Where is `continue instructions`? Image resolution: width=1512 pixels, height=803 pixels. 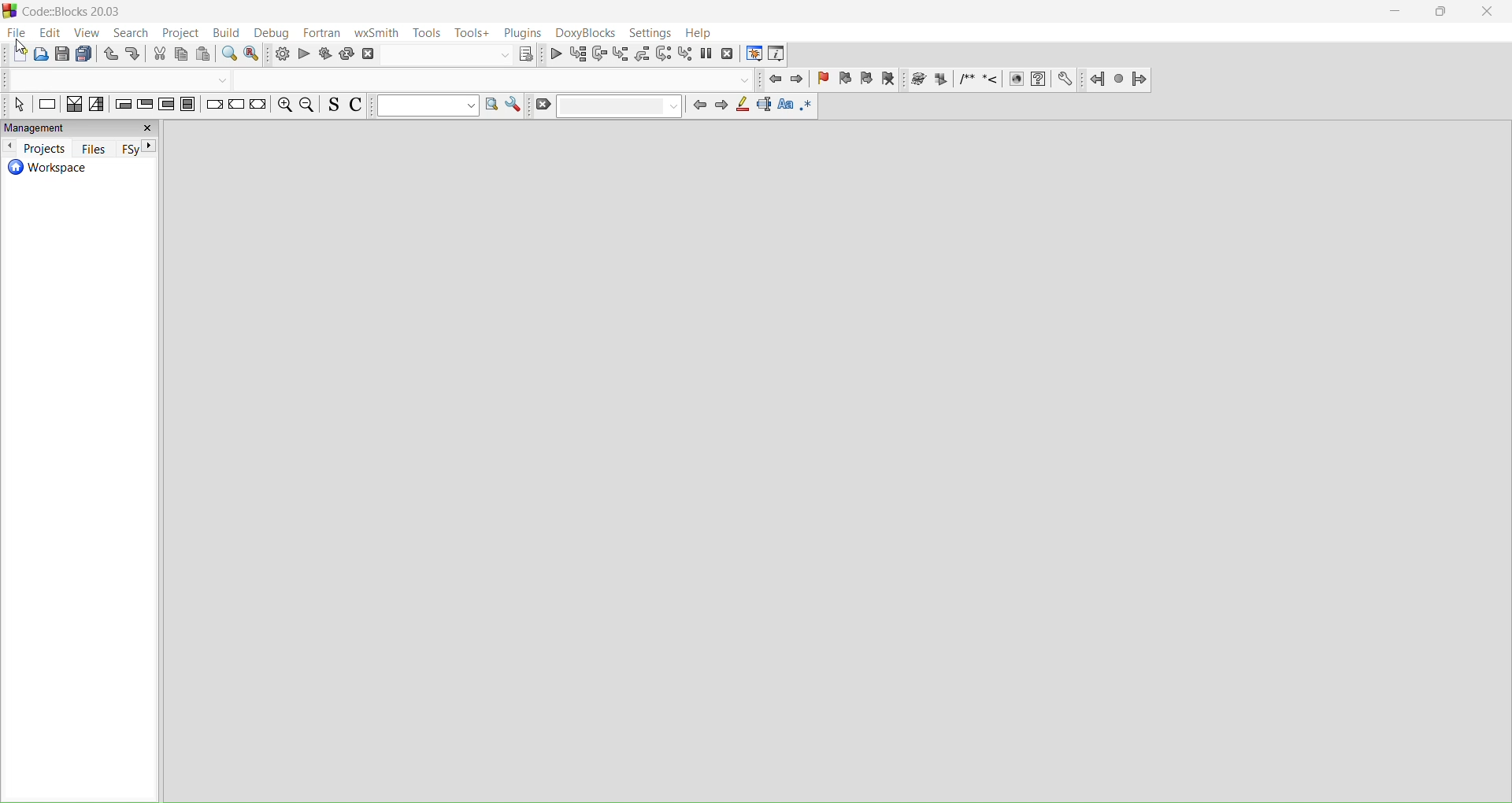
continue instructions is located at coordinates (235, 108).